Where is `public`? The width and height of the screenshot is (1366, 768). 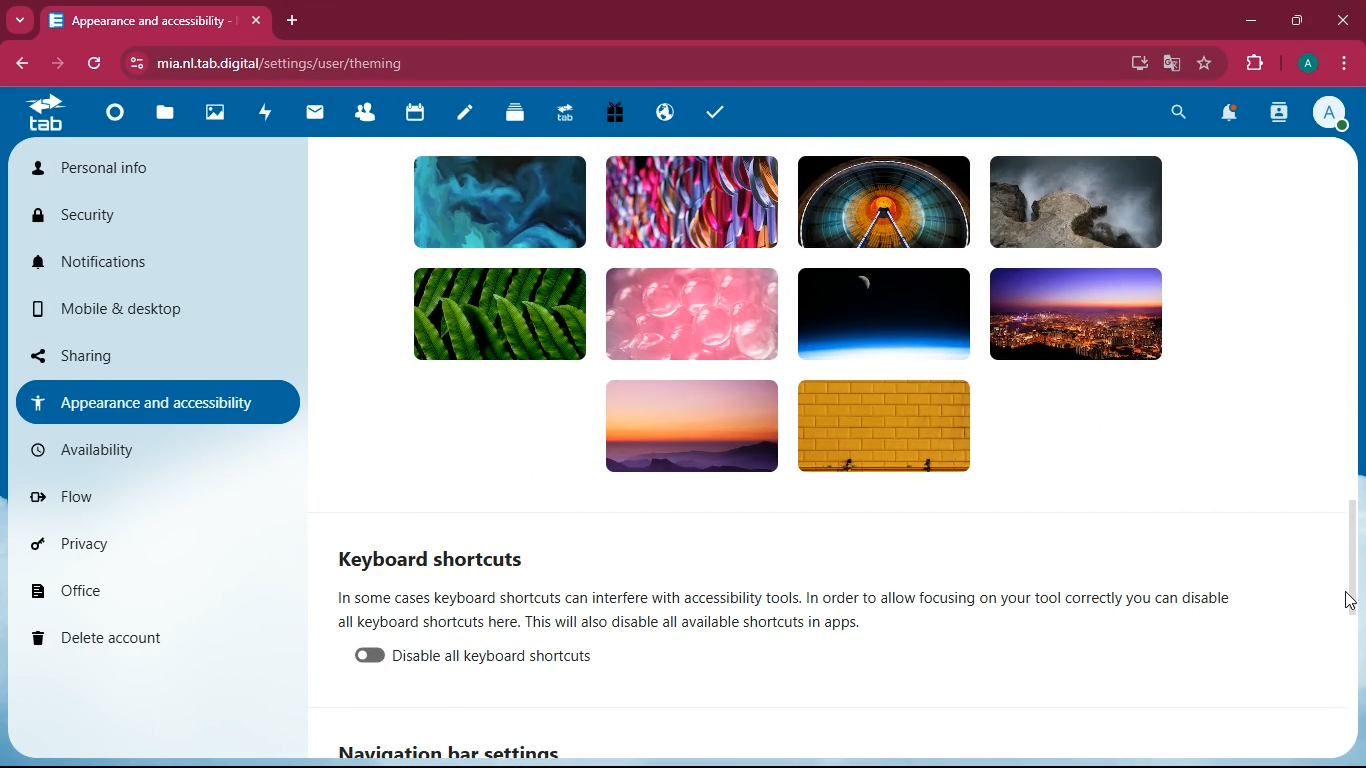 public is located at coordinates (668, 113).